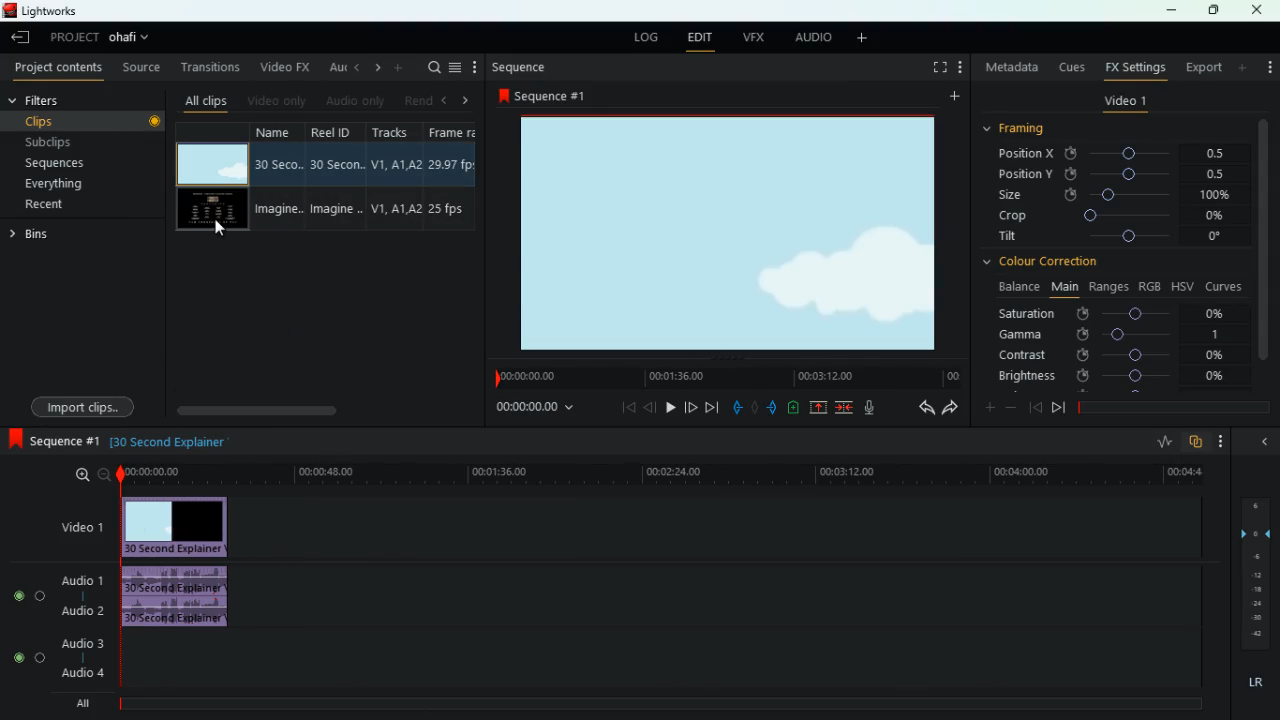 This screenshot has width=1280, height=720. What do you see at coordinates (660, 474) in the screenshot?
I see `time` at bounding box center [660, 474].